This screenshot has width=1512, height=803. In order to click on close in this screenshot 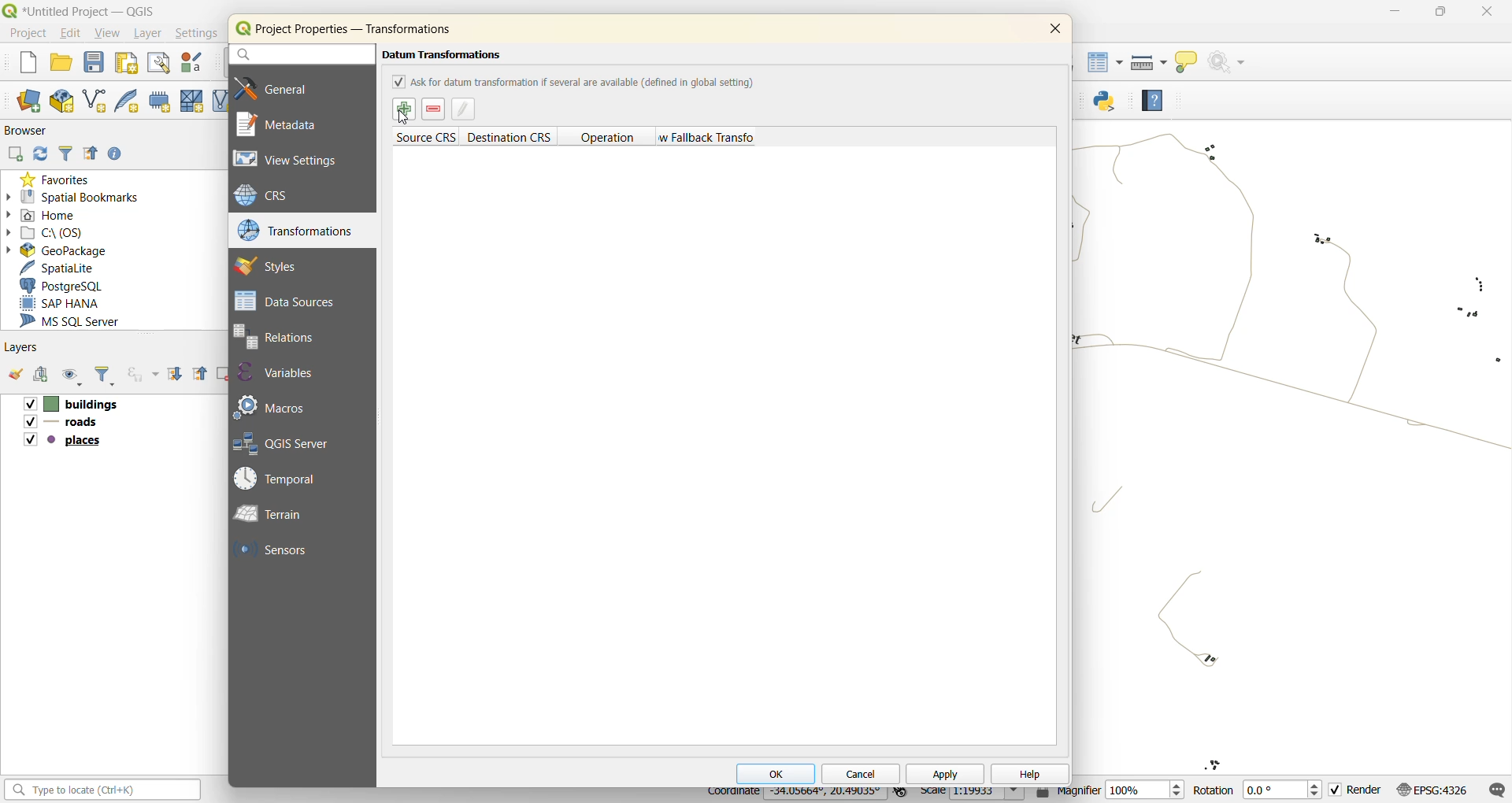, I will do `click(1055, 30)`.